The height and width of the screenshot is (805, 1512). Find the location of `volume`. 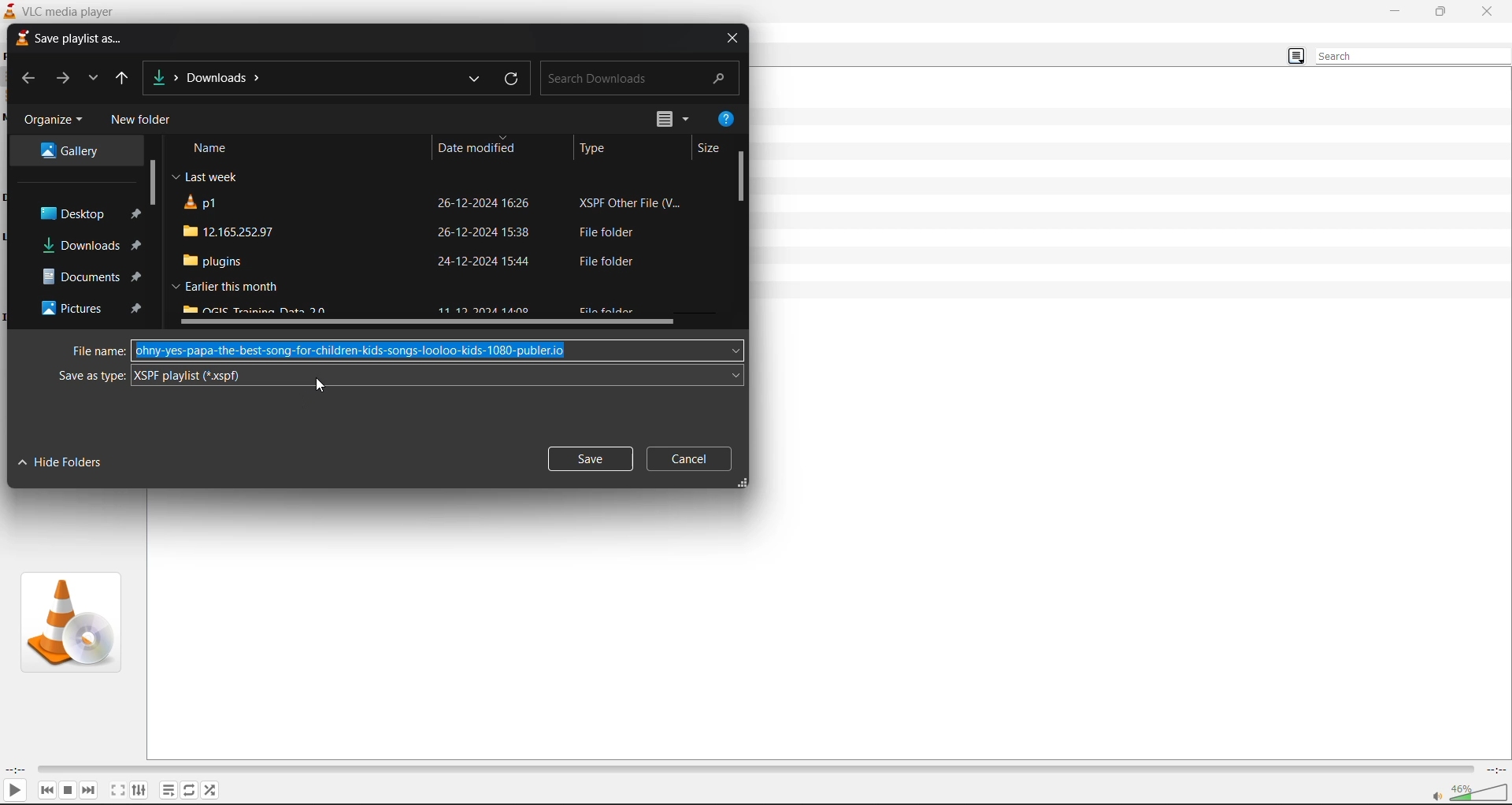

volume is located at coordinates (1469, 792).